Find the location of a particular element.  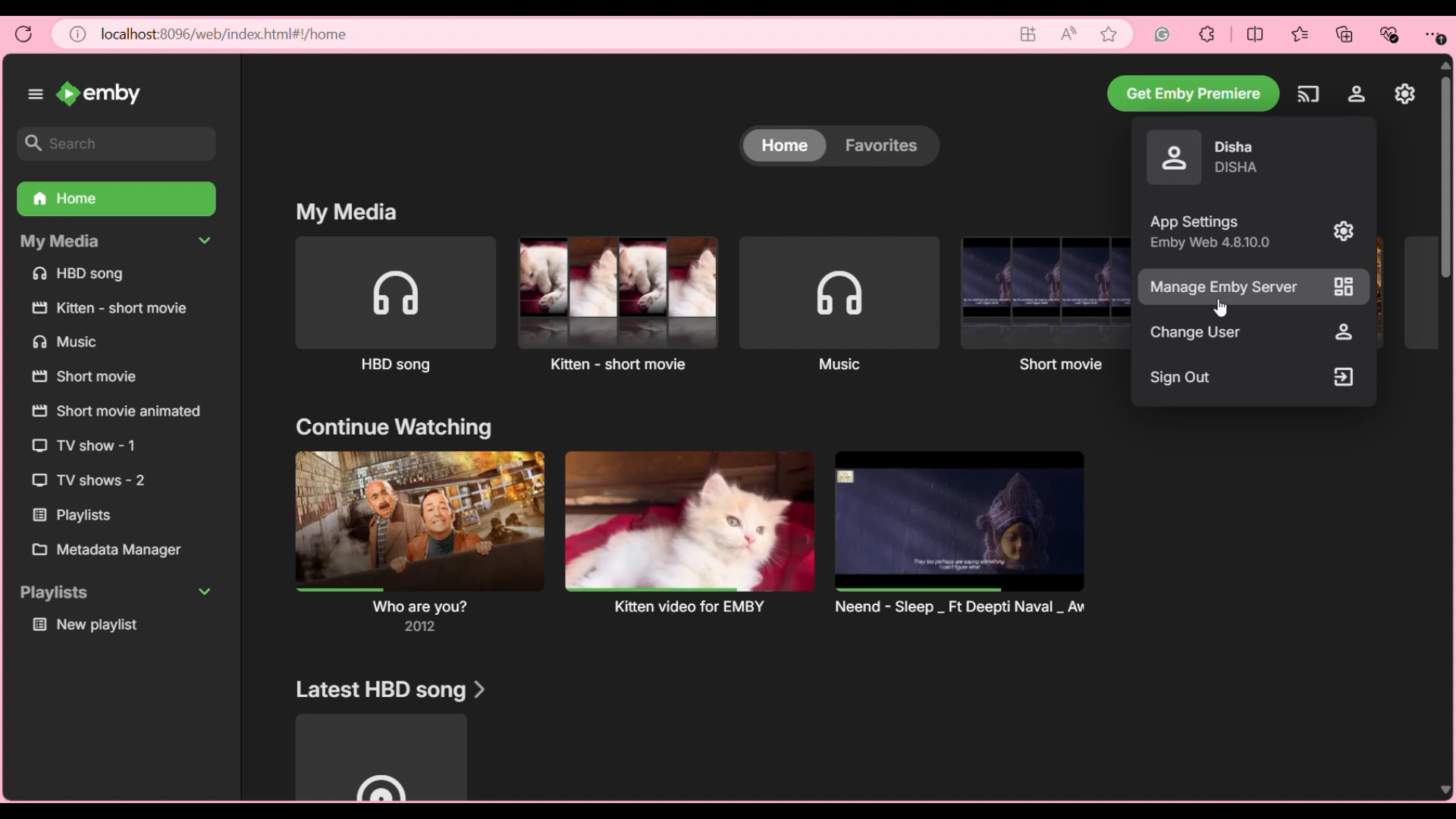

kitten-short movie is located at coordinates (610, 303).